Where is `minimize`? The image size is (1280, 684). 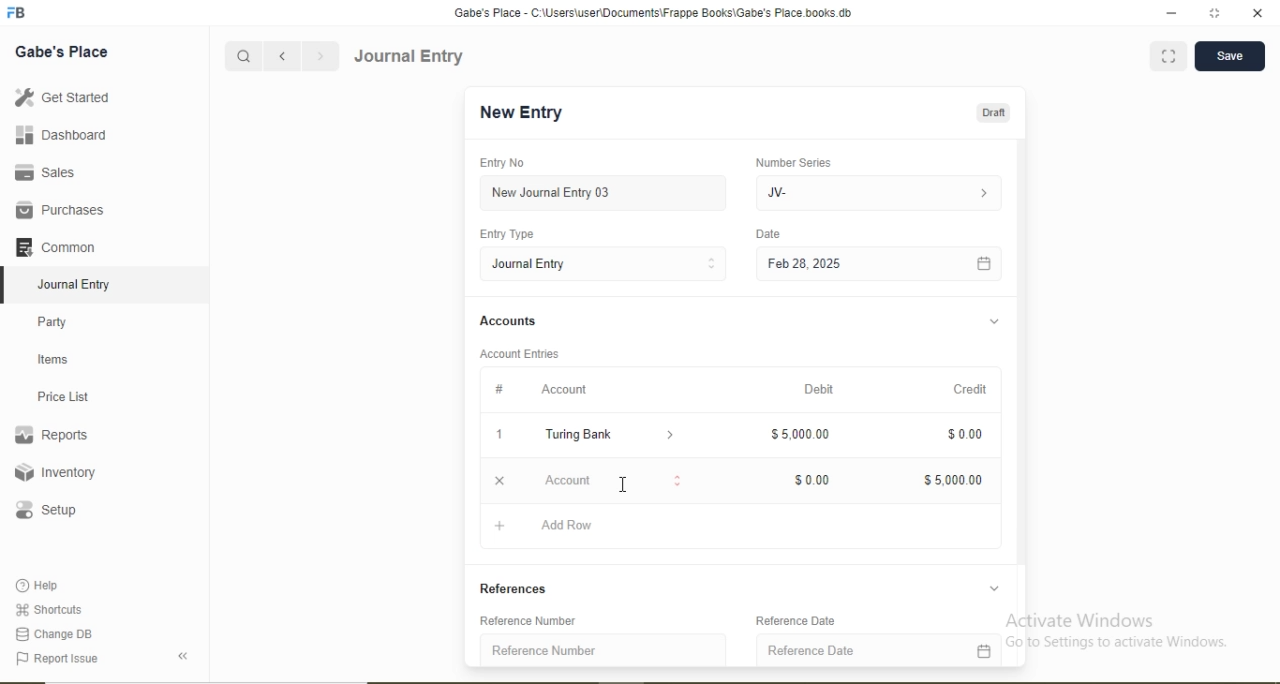 minimize is located at coordinates (1169, 14).